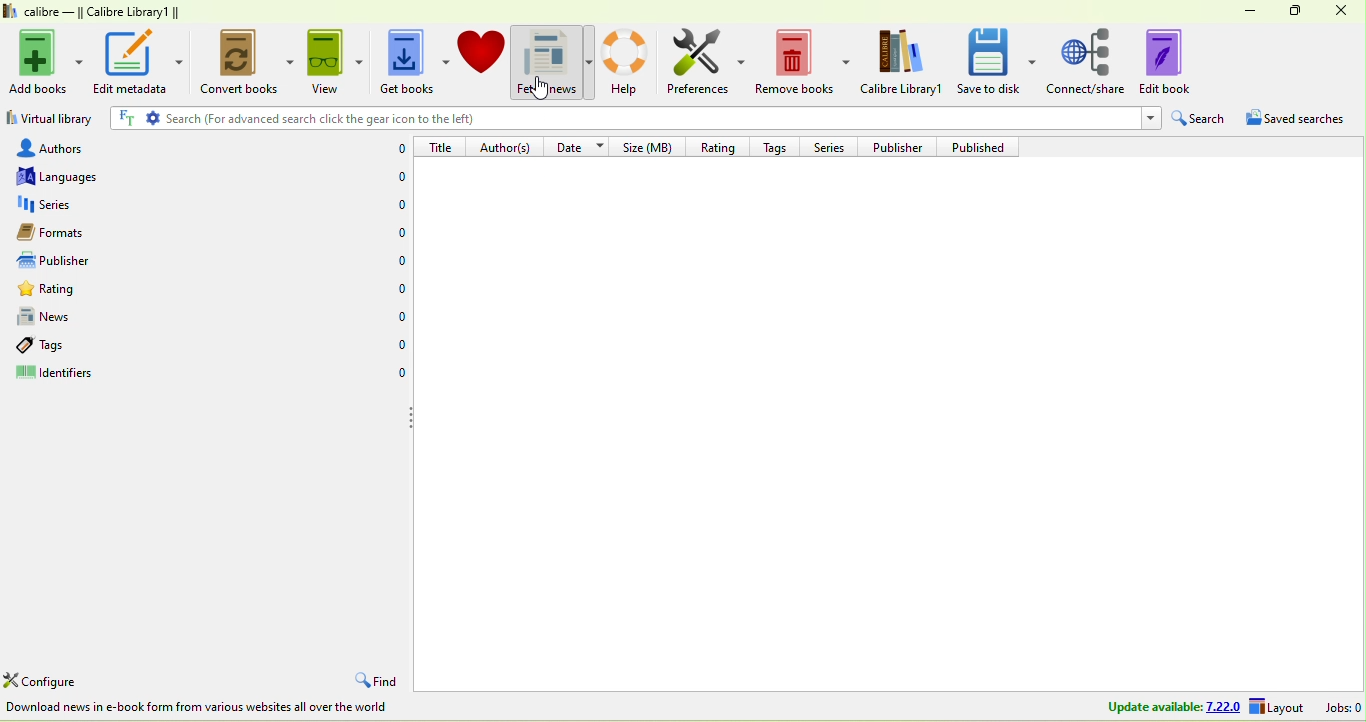 This screenshot has height=722, width=1366. What do you see at coordinates (181, 61) in the screenshot?
I see `edit metadata options` at bounding box center [181, 61].